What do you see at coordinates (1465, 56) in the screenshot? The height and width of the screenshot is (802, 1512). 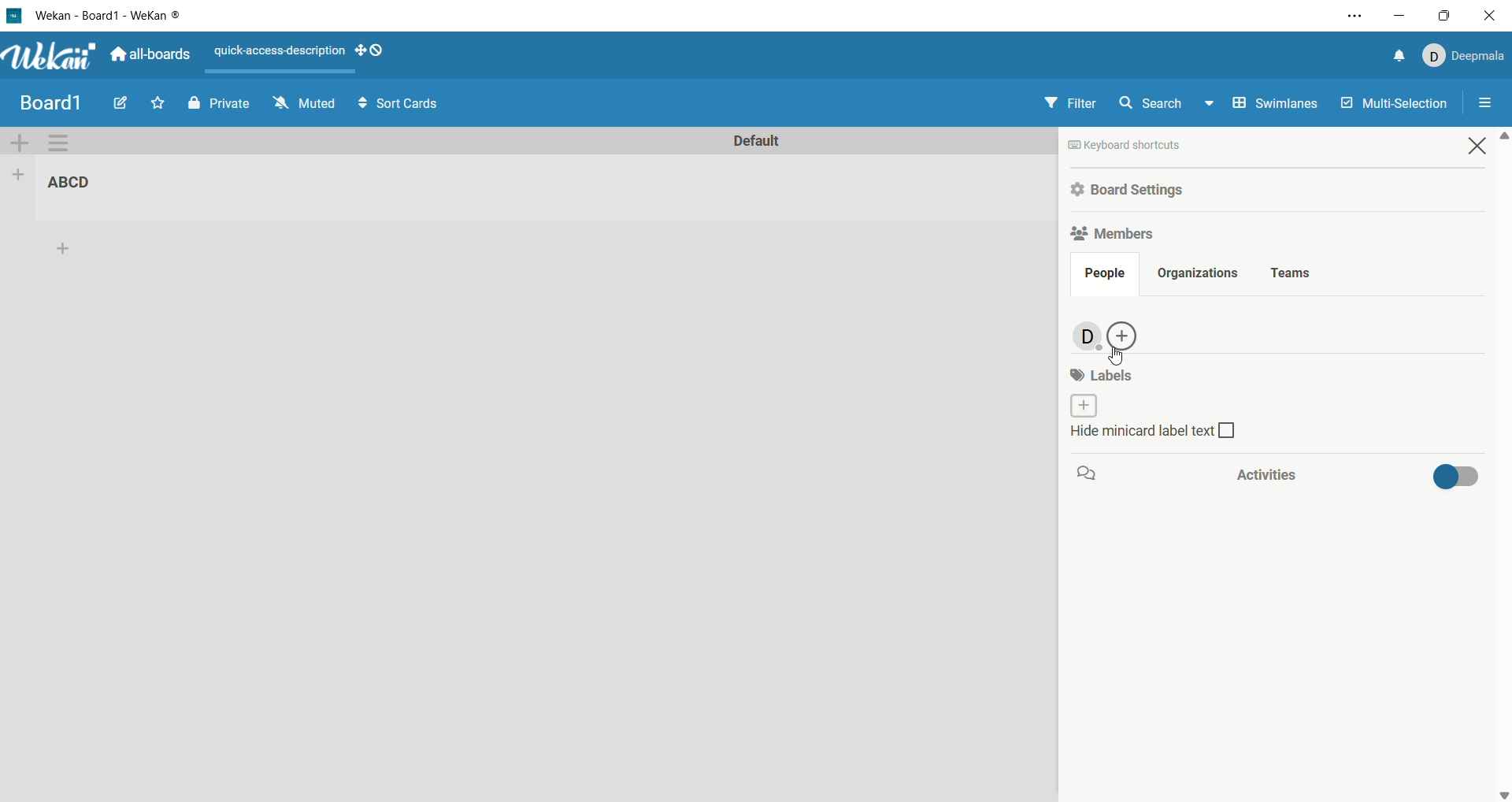 I see `account` at bounding box center [1465, 56].